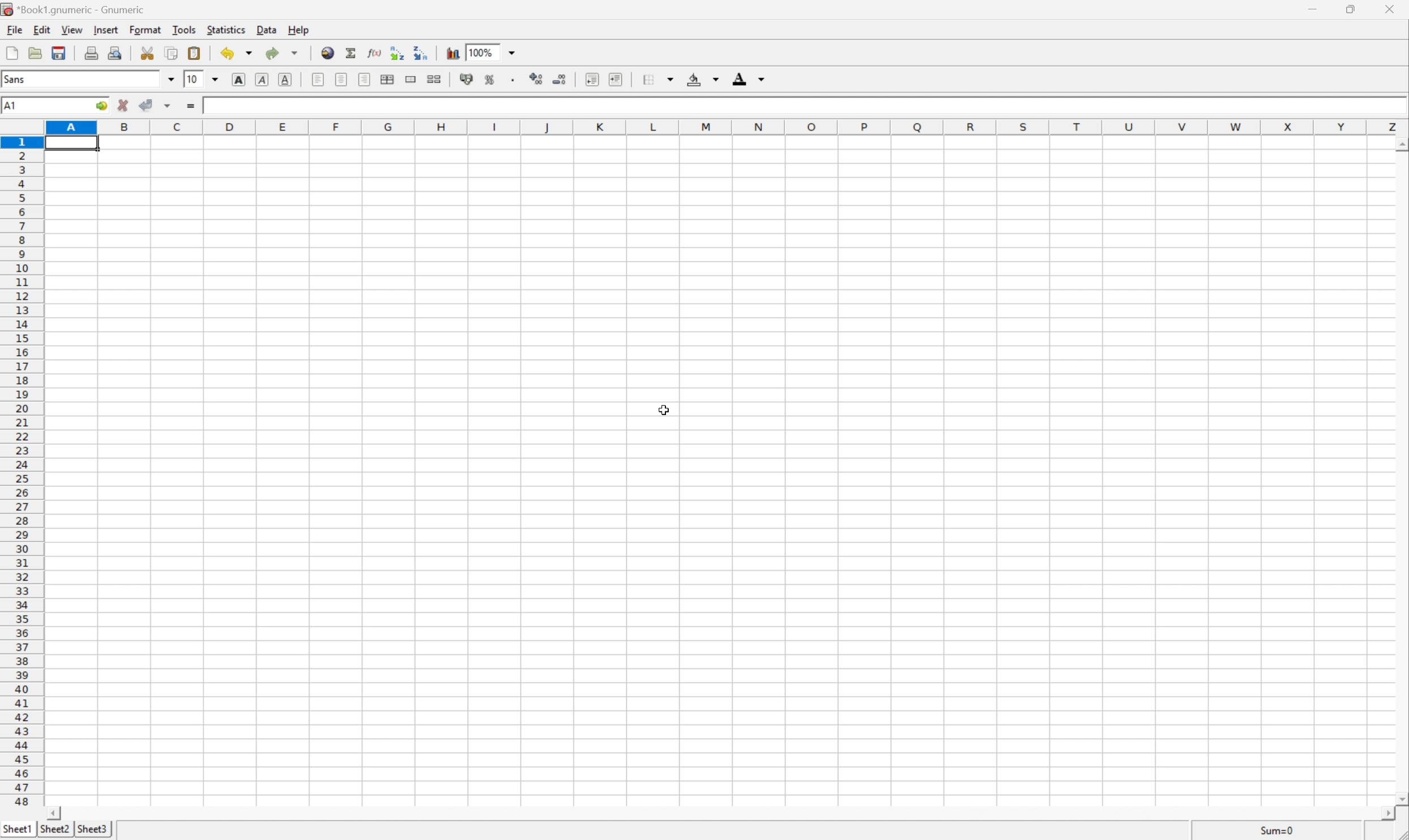 The height and width of the screenshot is (840, 1409). I want to click on Cut selection, so click(150, 52).